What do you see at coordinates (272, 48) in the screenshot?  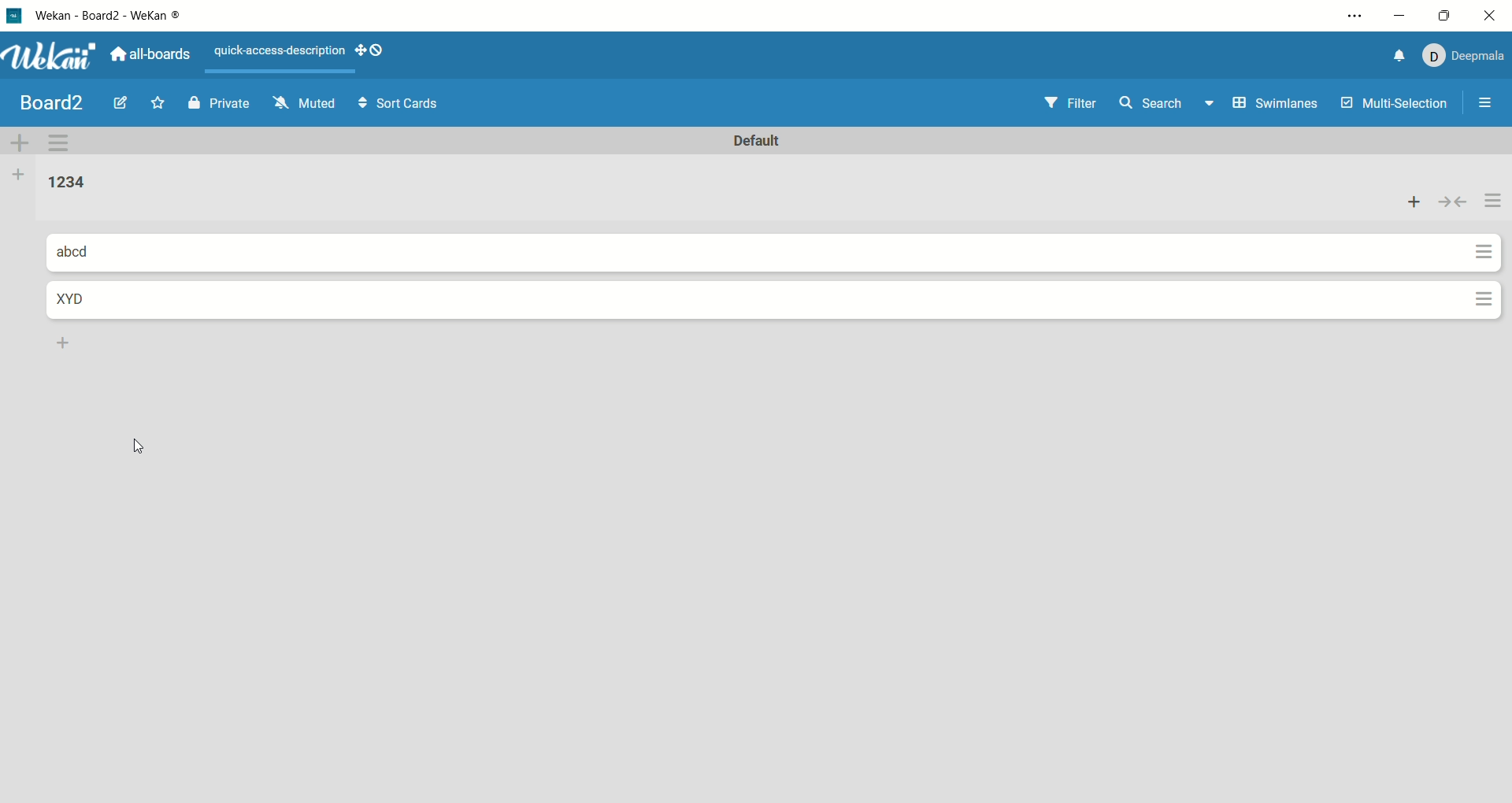 I see `text` at bounding box center [272, 48].